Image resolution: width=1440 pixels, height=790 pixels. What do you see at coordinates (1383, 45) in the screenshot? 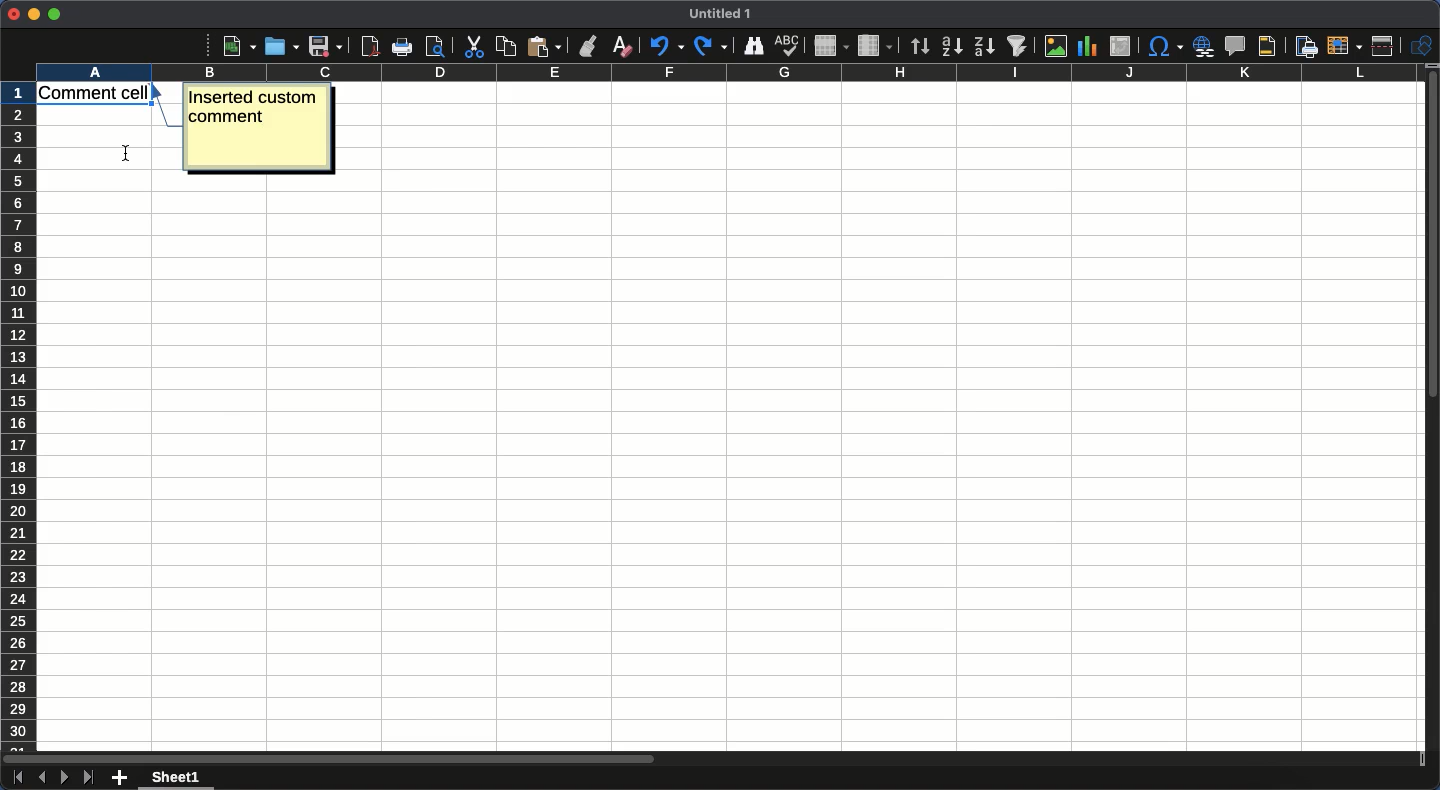
I see `Split window` at bounding box center [1383, 45].